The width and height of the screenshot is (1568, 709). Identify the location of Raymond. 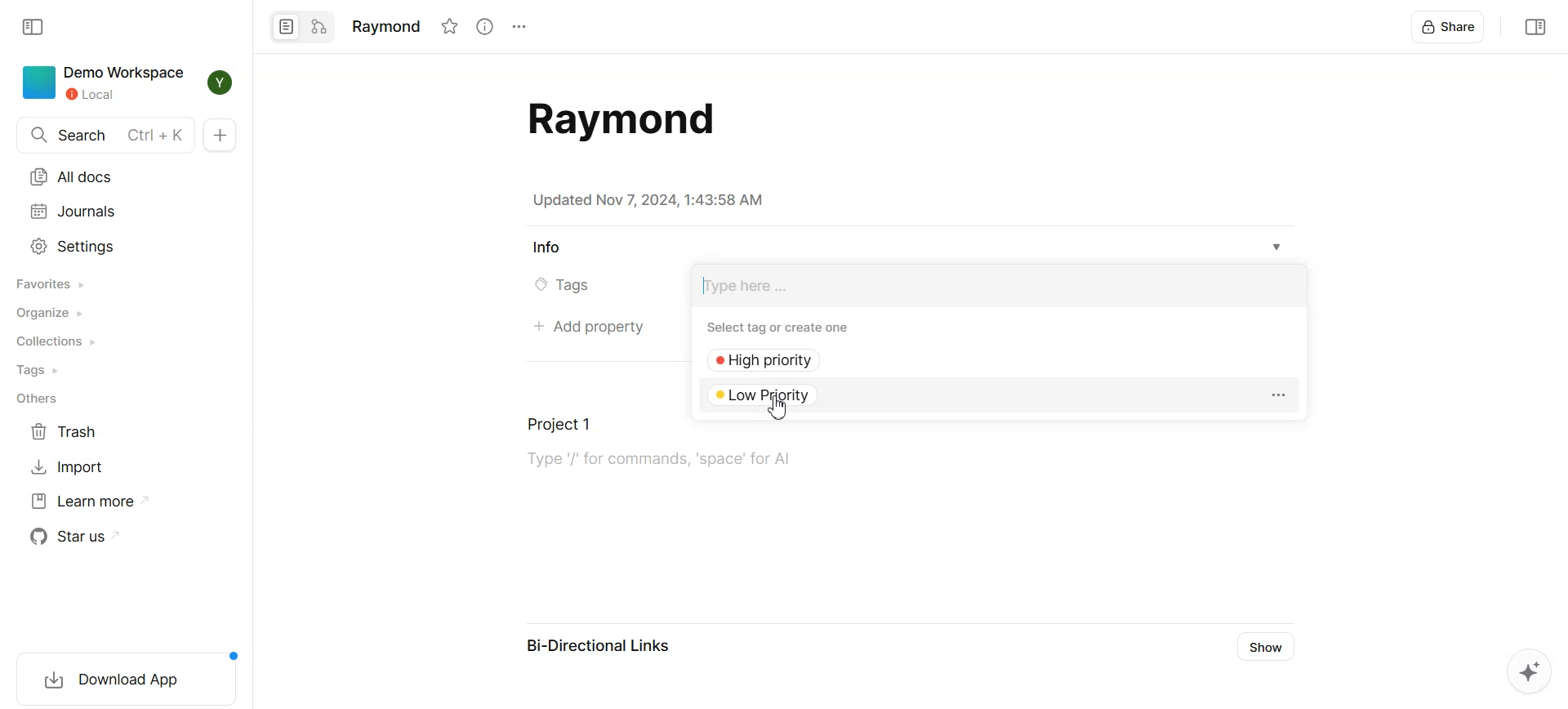
(385, 25).